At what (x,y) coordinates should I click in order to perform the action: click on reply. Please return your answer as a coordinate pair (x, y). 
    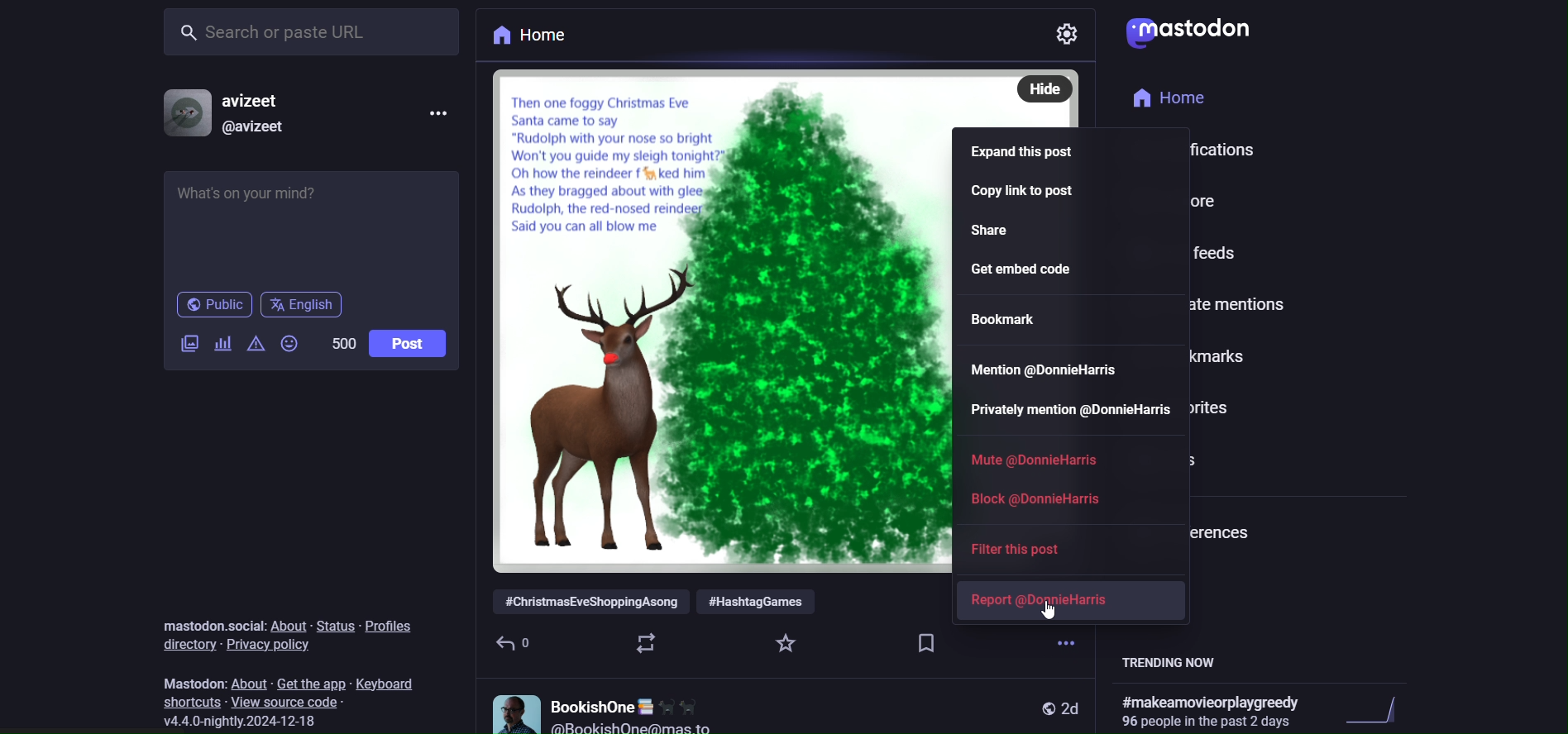
    Looking at the image, I should click on (517, 641).